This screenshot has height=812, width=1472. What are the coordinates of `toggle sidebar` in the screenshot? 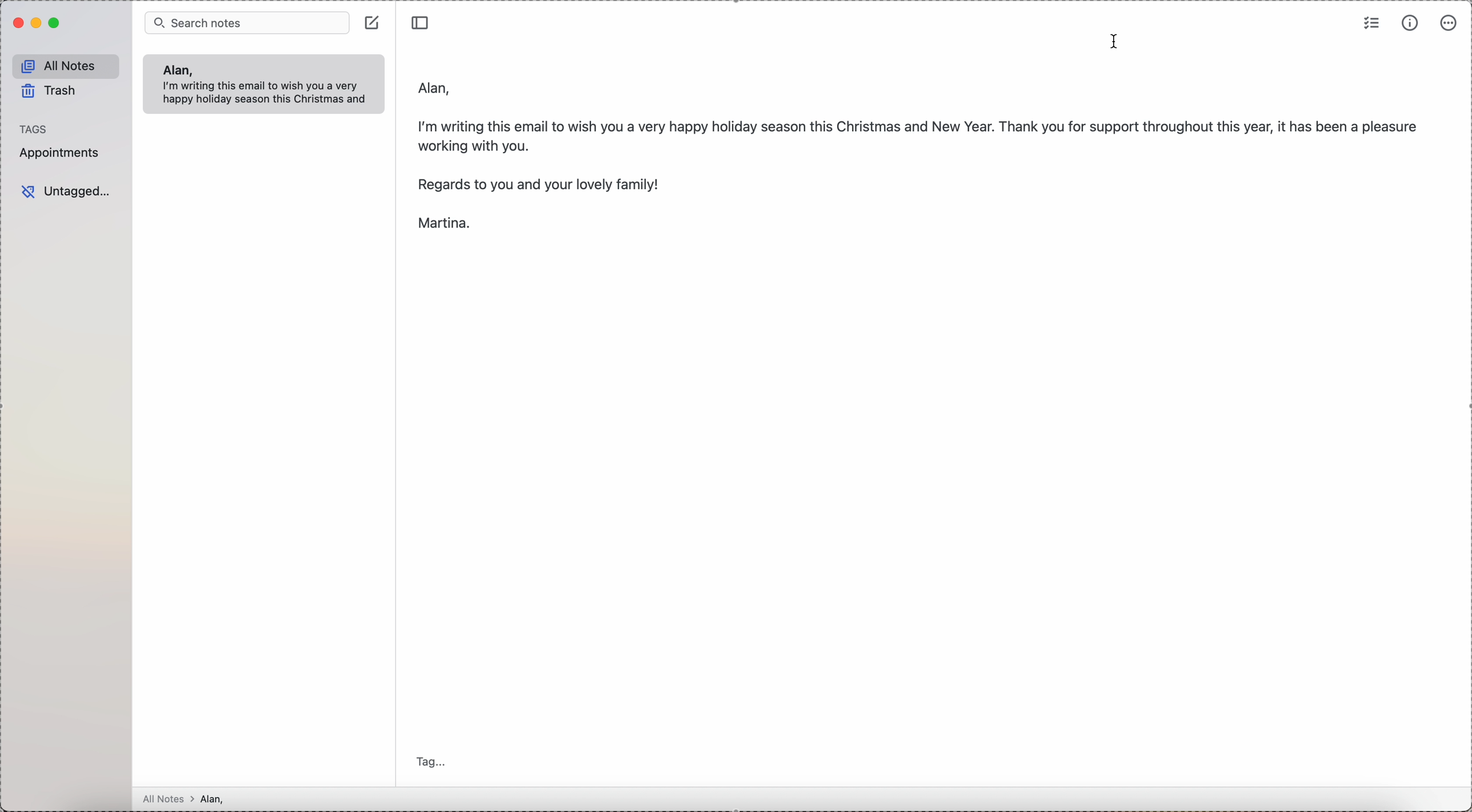 It's located at (422, 21).